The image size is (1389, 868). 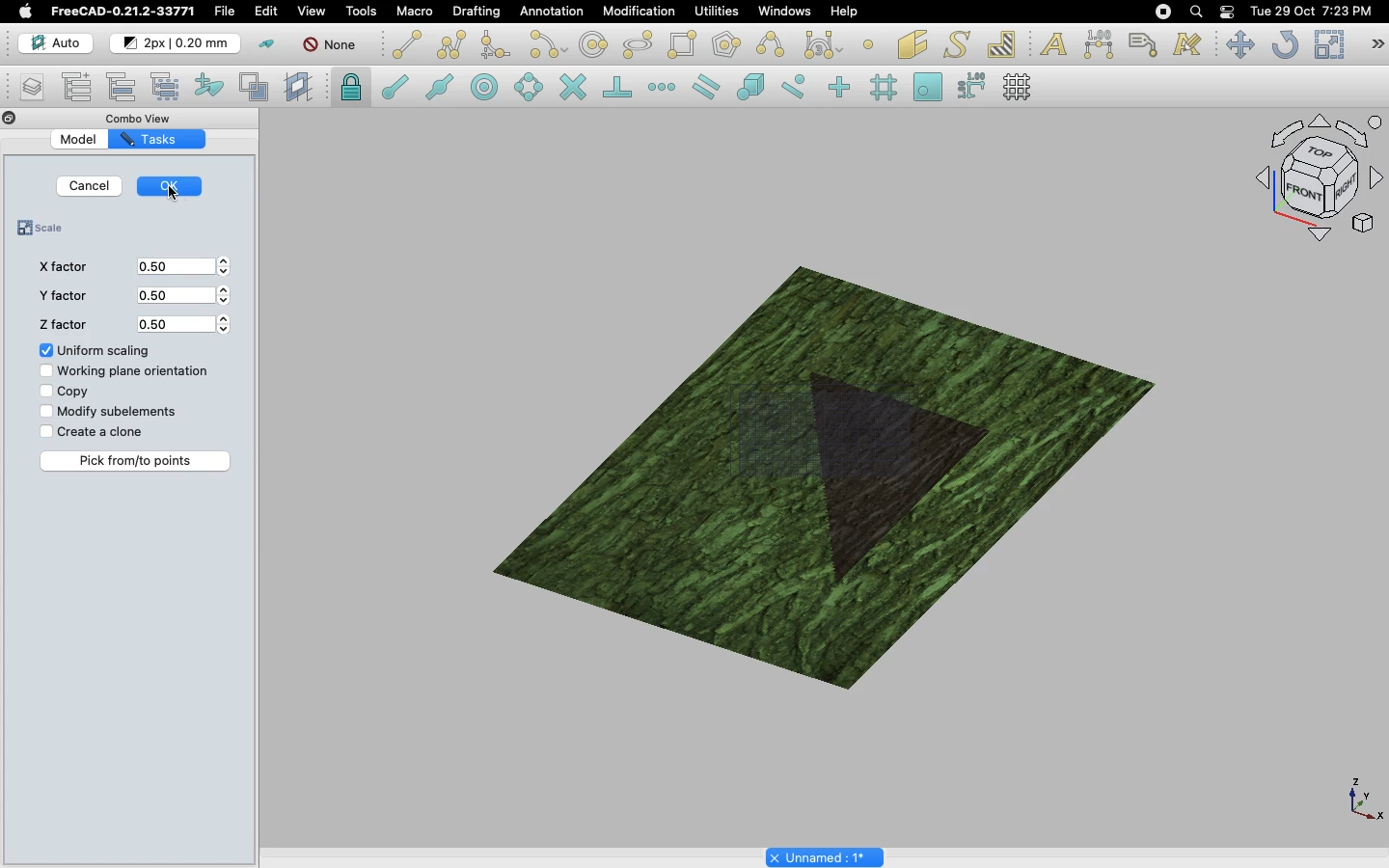 What do you see at coordinates (62, 392) in the screenshot?
I see `Copy` at bounding box center [62, 392].